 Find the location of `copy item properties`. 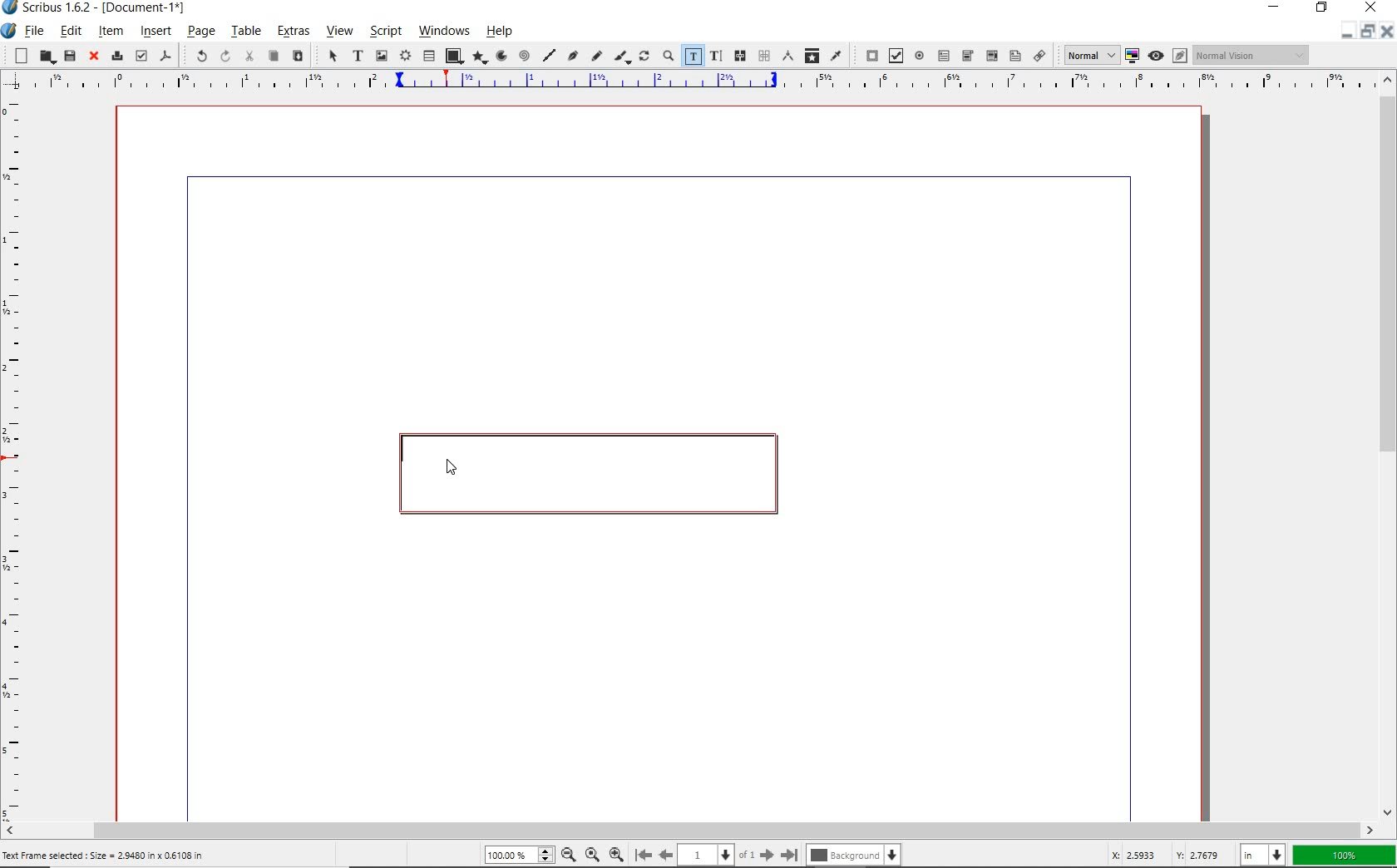

copy item properties is located at coordinates (812, 55).